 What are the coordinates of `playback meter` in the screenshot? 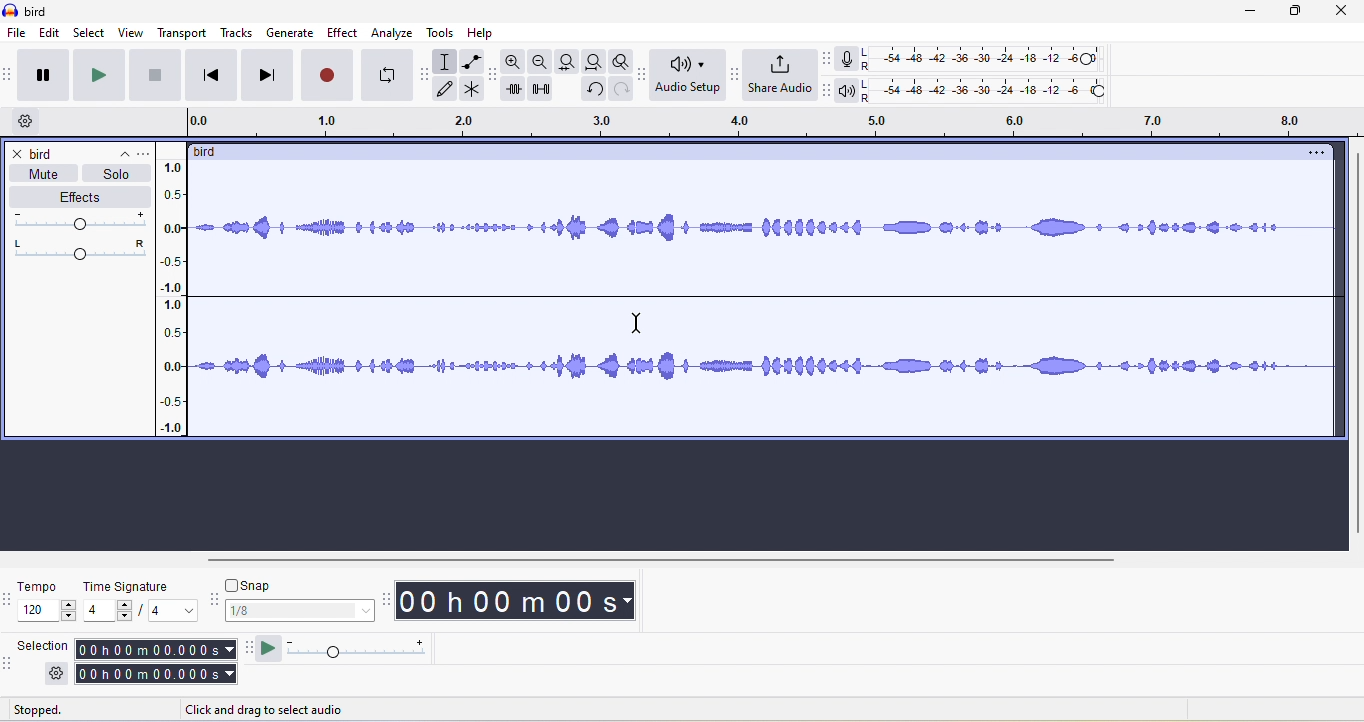 It's located at (847, 92).